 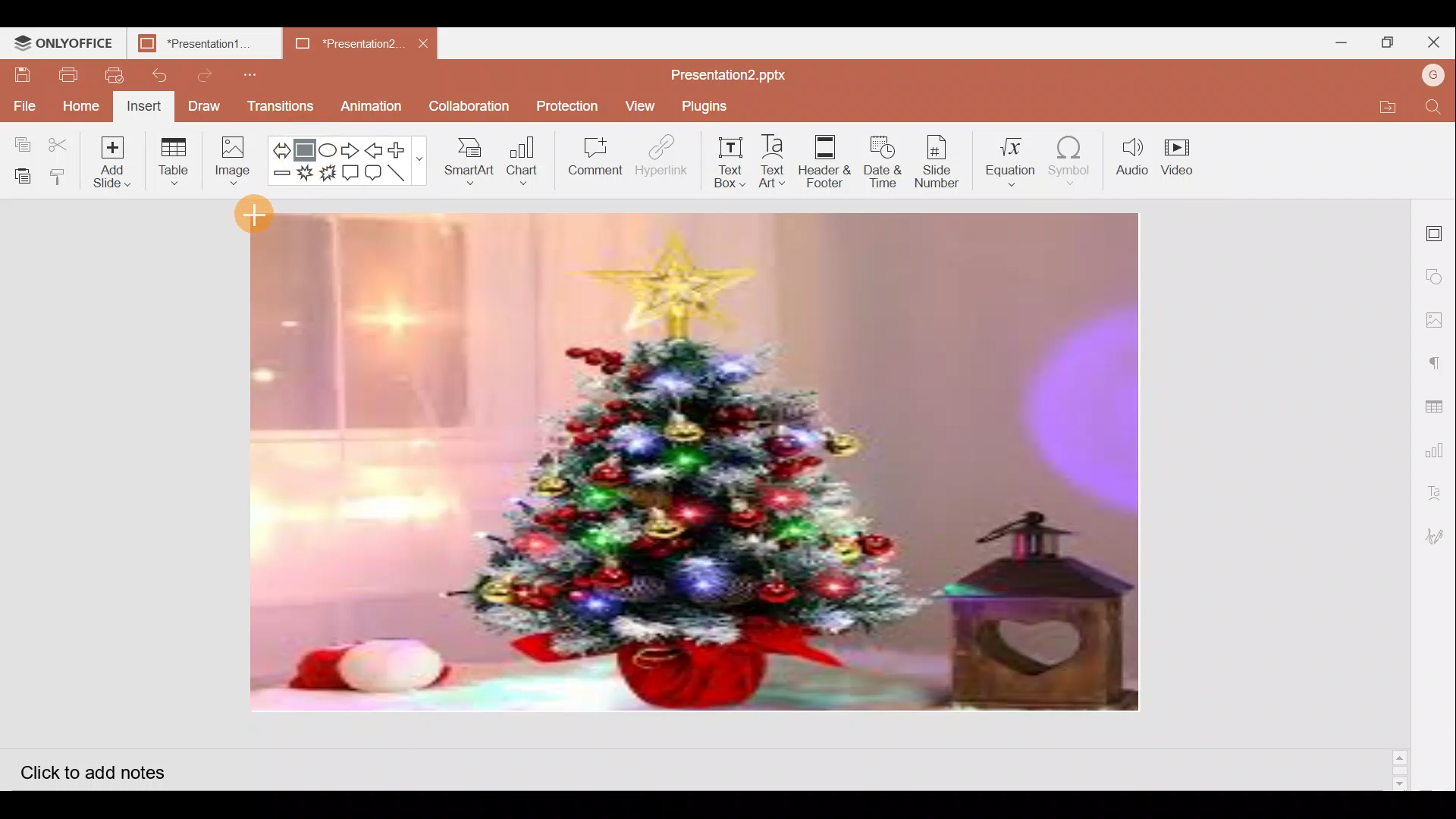 What do you see at coordinates (722, 165) in the screenshot?
I see `Text box` at bounding box center [722, 165].